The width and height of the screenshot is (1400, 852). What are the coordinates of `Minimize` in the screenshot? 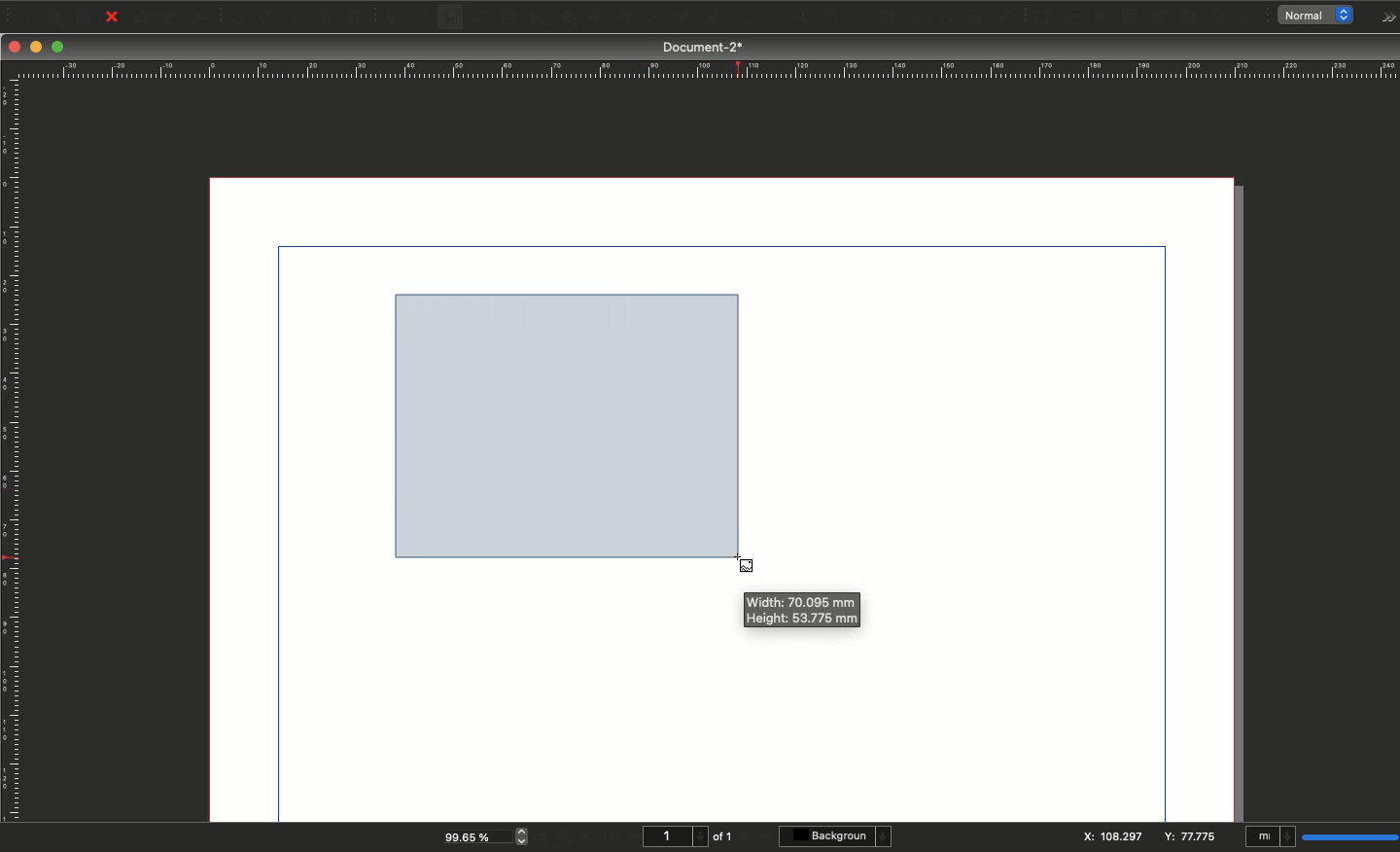 It's located at (38, 48).